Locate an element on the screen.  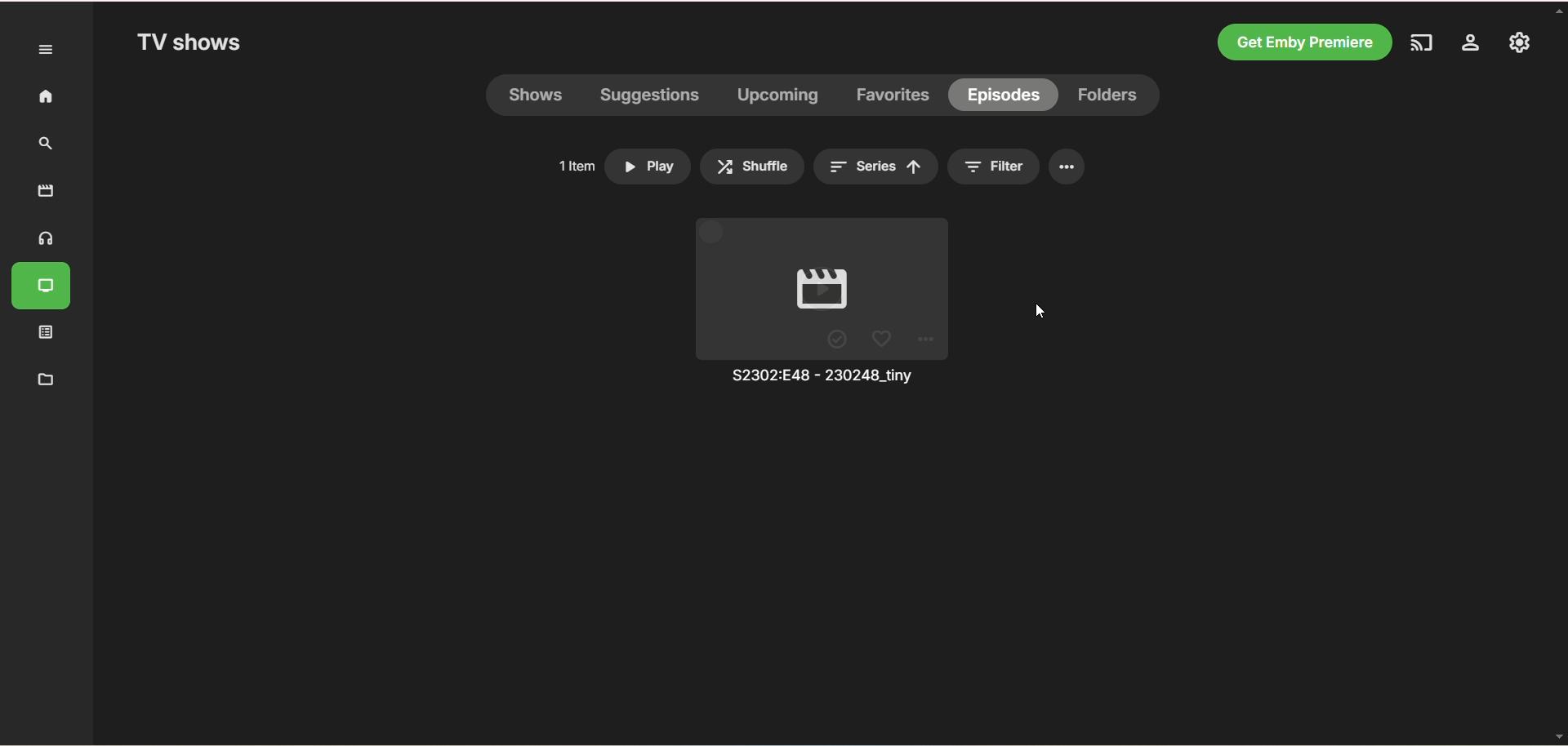
> Shuffle is located at coordinates (760, 166).